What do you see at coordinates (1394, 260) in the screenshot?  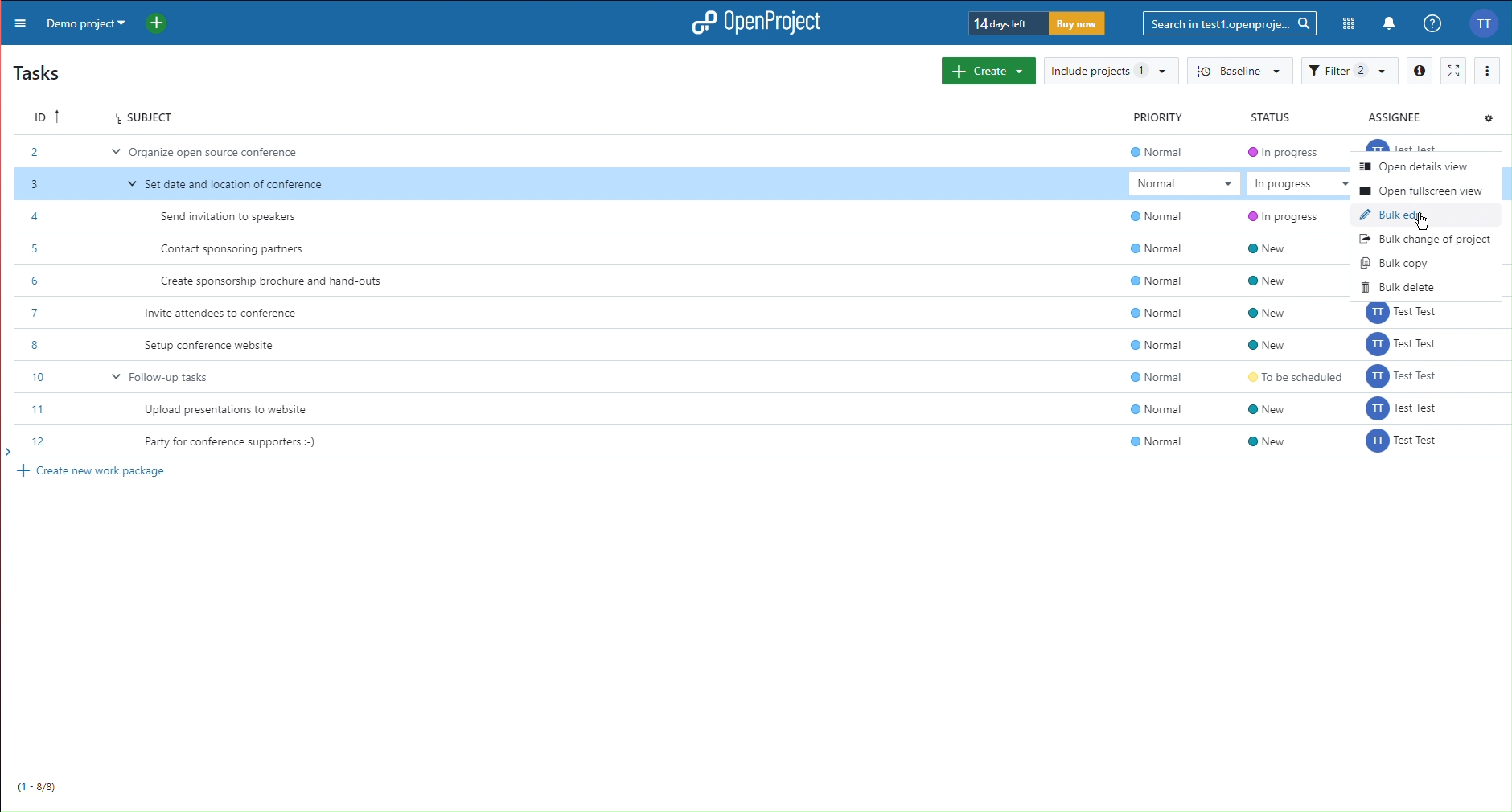 I see `Bulk copy` at bounding box center [1394, 260].